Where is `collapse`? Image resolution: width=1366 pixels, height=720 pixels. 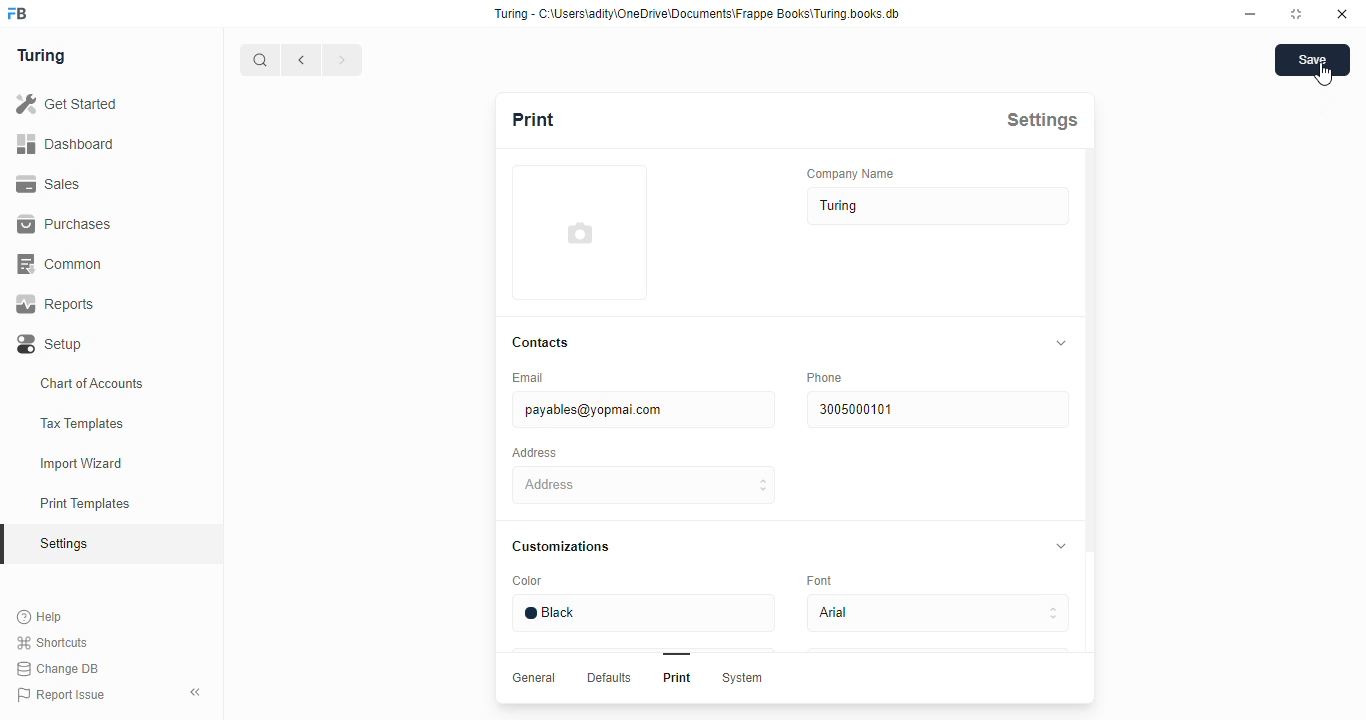 collapse is located at coordinates (1057, 546).